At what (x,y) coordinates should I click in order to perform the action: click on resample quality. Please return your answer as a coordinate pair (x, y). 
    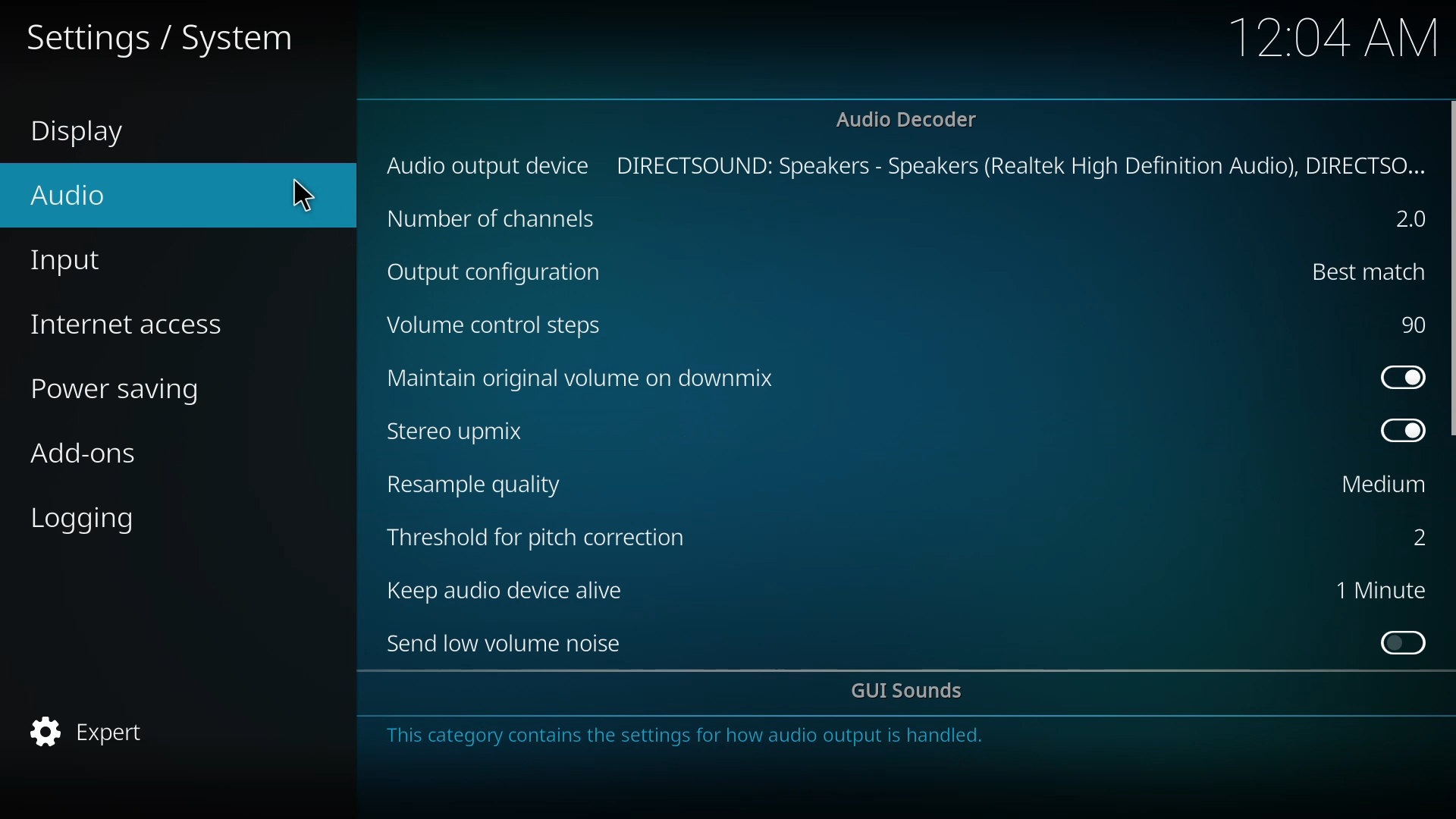
    Looking at the image, I should click on (485, 482).